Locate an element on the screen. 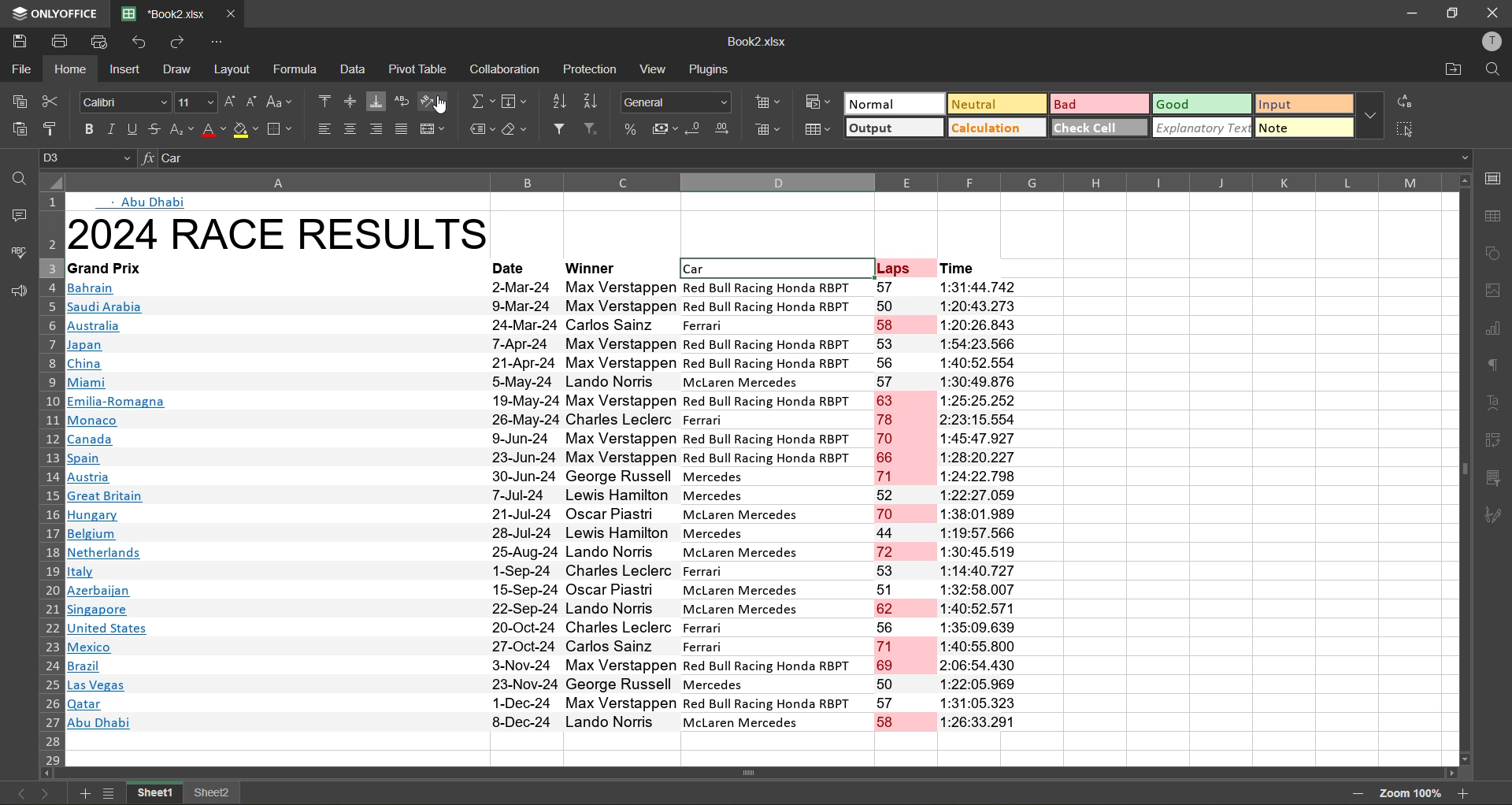 The width and height of the screenshot is (1512, 805). fill color is located at coordinates (246, 132).